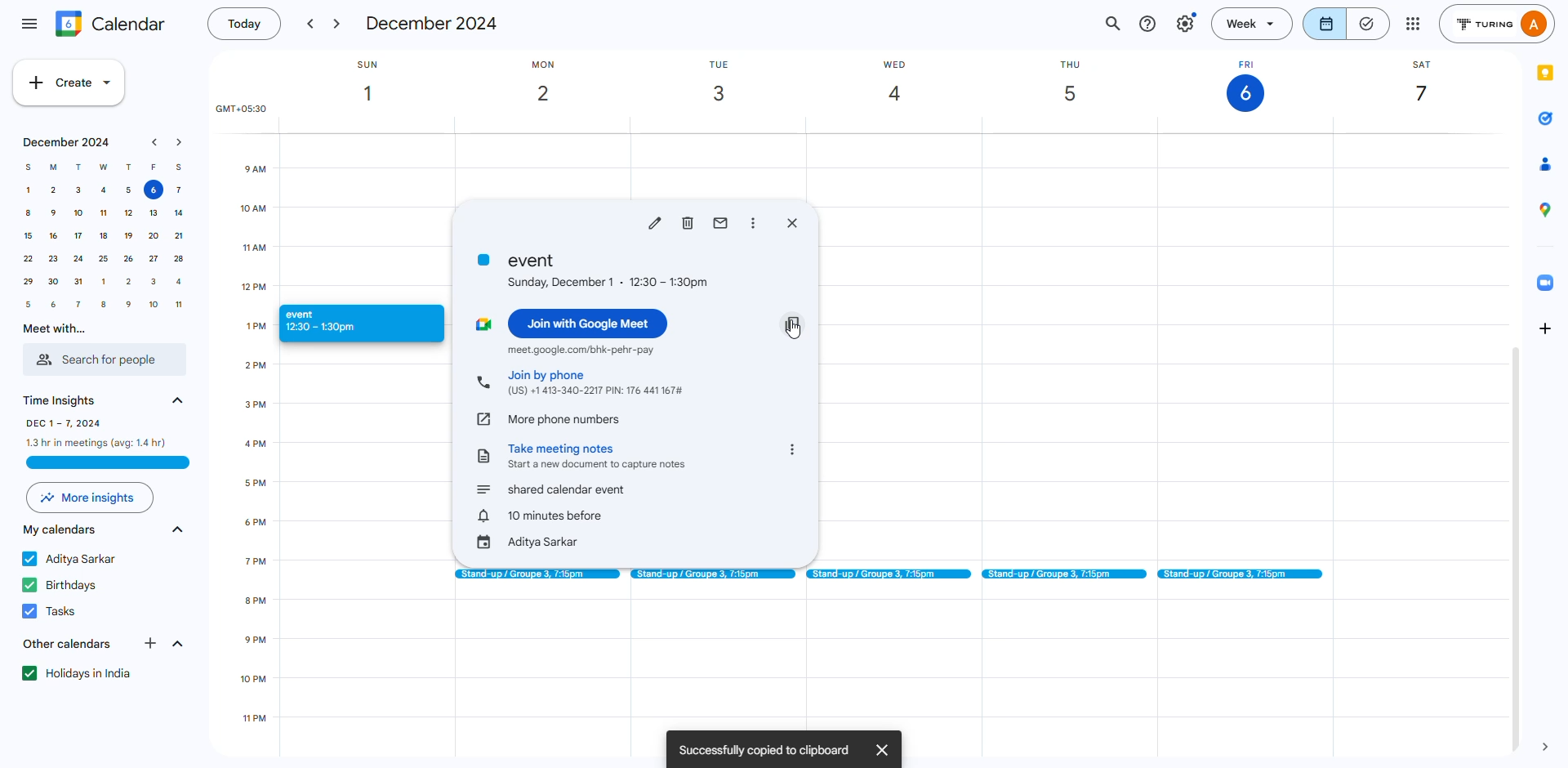  What do you see at coordinates (62, 143) in the screenshot?
I see `December 2024` at bounding box center [62, 143].